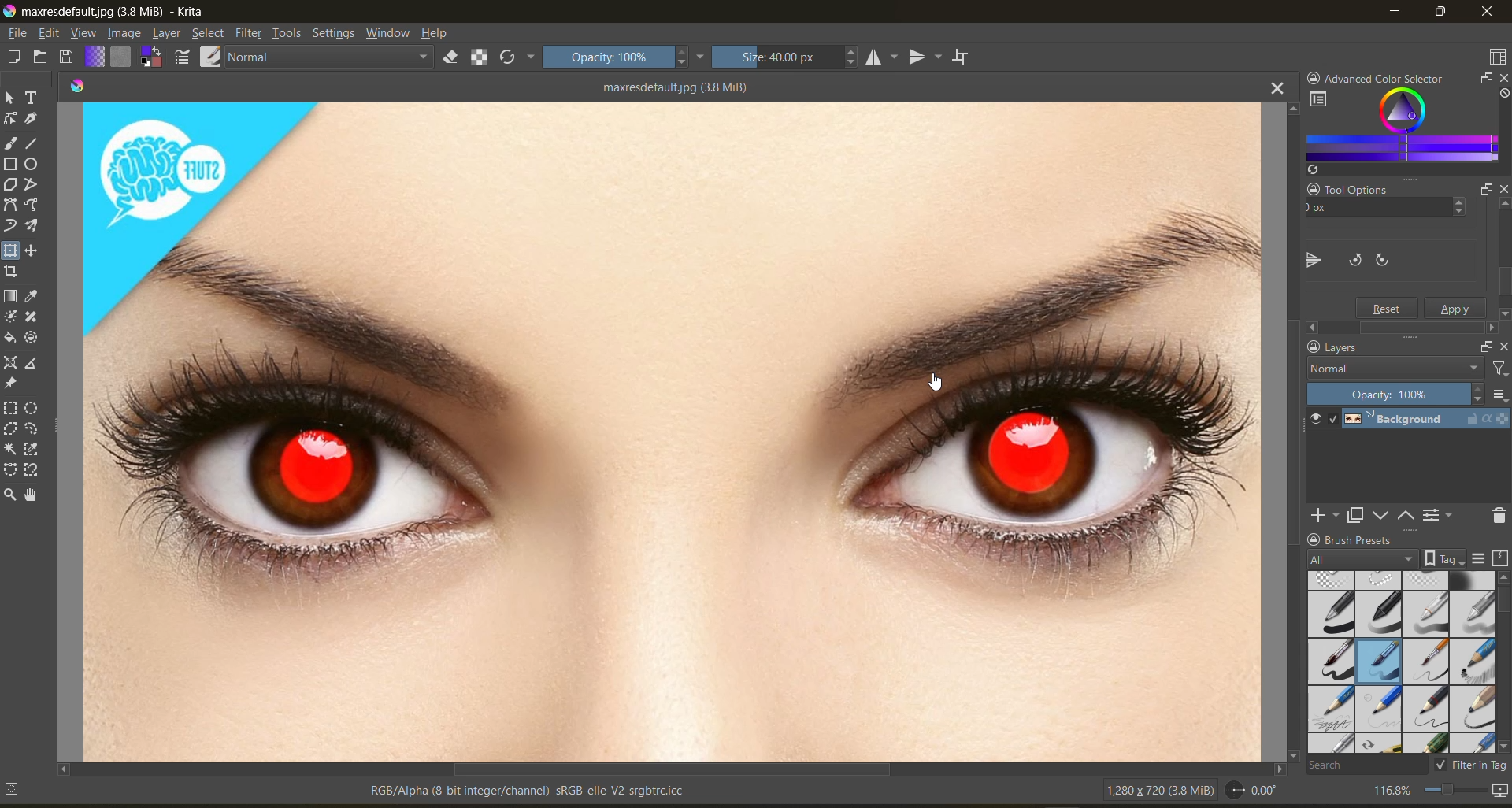 The image size is (1512, 808). What do you see at coordinates (86, 35) in the screenshot?
I see `view` at bounding box center [86, 35].